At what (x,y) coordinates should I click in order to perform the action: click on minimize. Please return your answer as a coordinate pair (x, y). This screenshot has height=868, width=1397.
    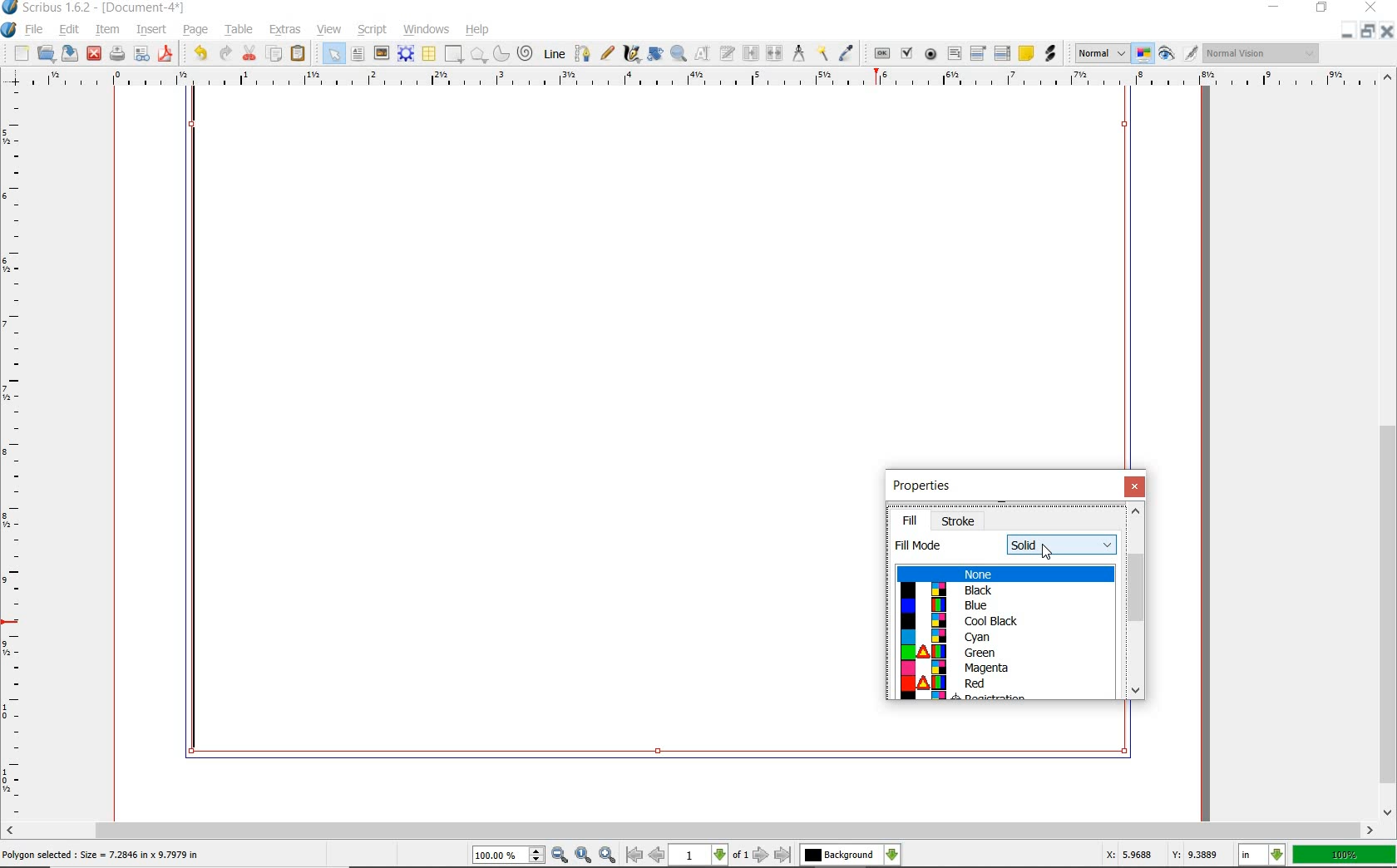
    Looking at the image, I should click on (1350, 32).